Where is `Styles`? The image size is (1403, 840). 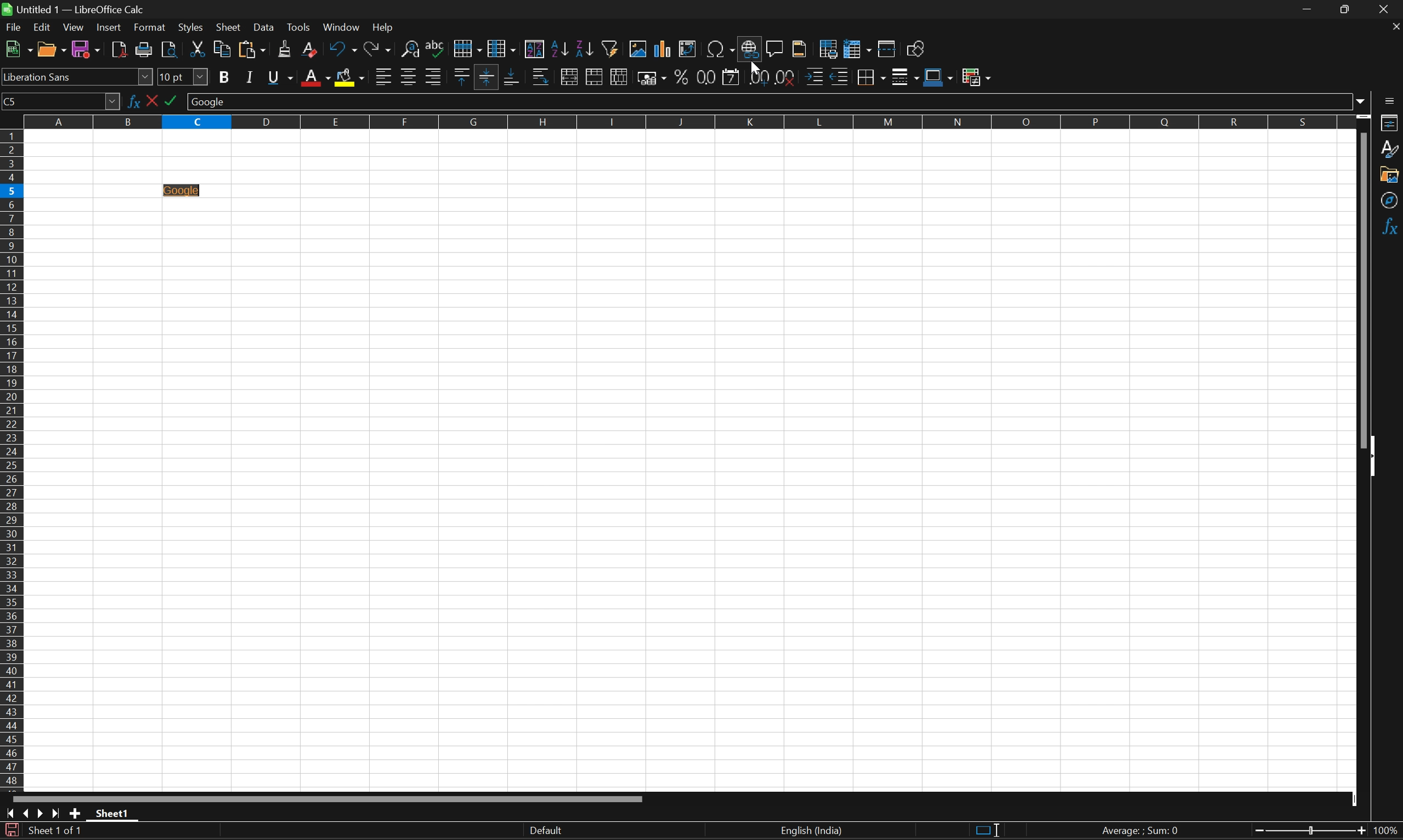
Styles is located at coordinates (1391, 149).